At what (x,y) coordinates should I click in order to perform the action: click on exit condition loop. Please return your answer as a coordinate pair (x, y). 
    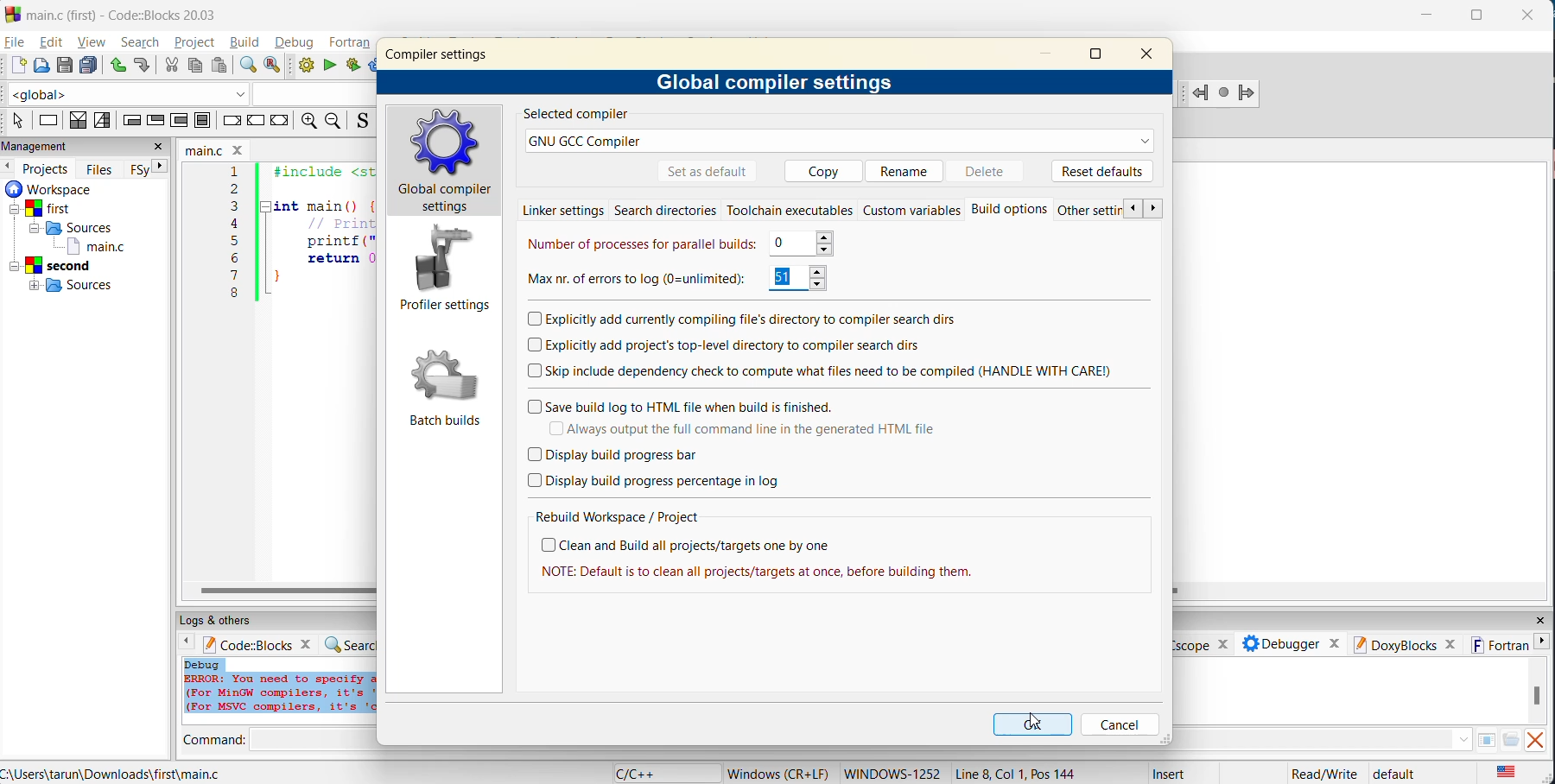
    Looking at the image, I should click on (155, 121).